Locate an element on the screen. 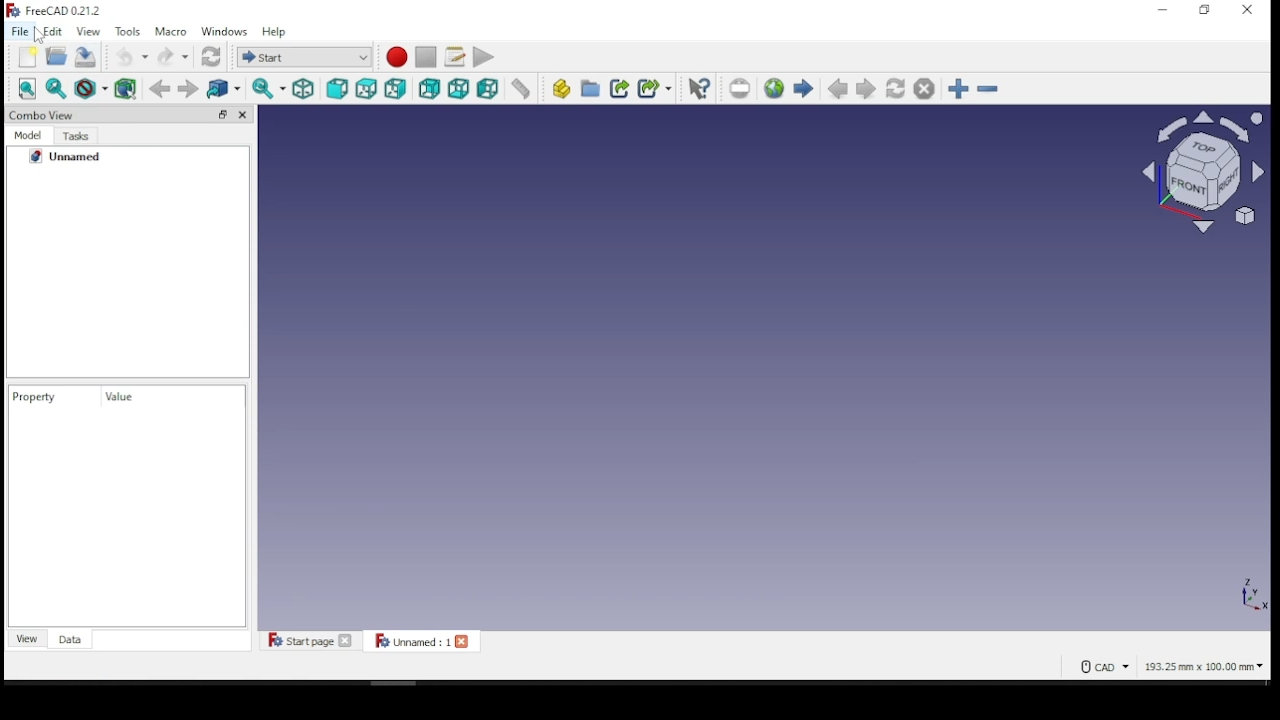 This screenshot has height=720, width=1280. top is located at coordinates (366, 87).